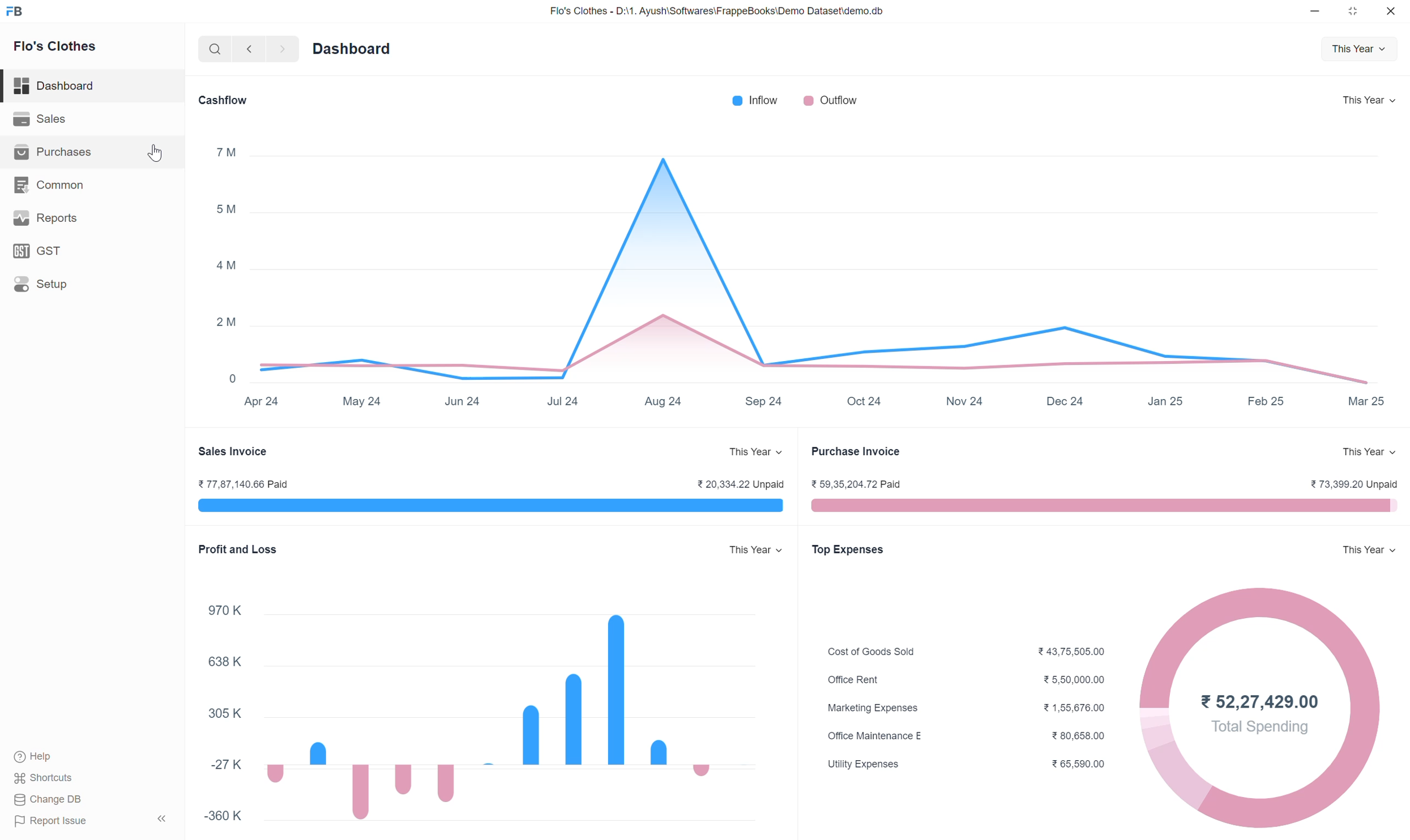  I want to click on ® Outflow, so click(832, 101).